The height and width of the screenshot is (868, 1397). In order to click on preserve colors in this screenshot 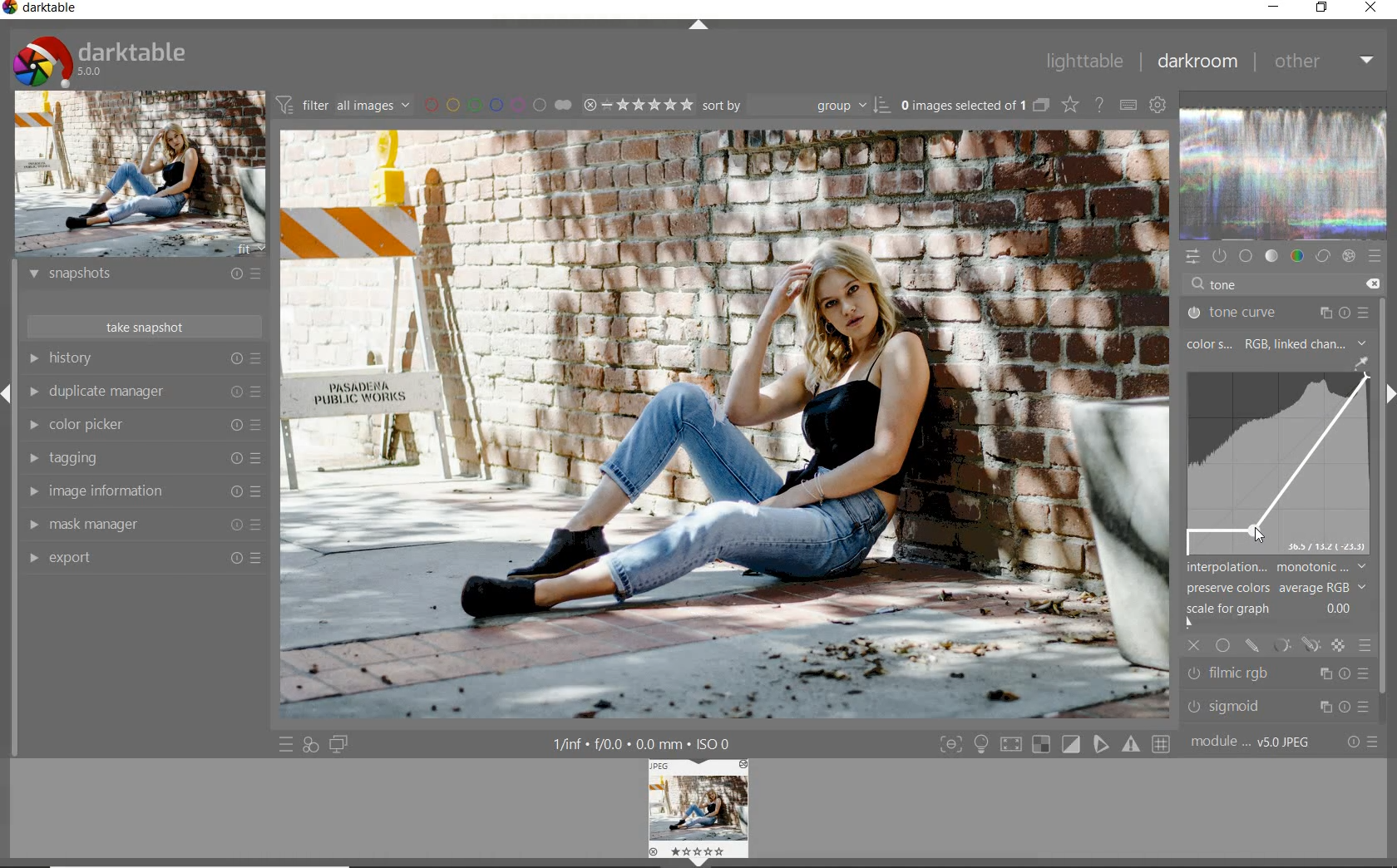, I will do `click(1268, 589)`.